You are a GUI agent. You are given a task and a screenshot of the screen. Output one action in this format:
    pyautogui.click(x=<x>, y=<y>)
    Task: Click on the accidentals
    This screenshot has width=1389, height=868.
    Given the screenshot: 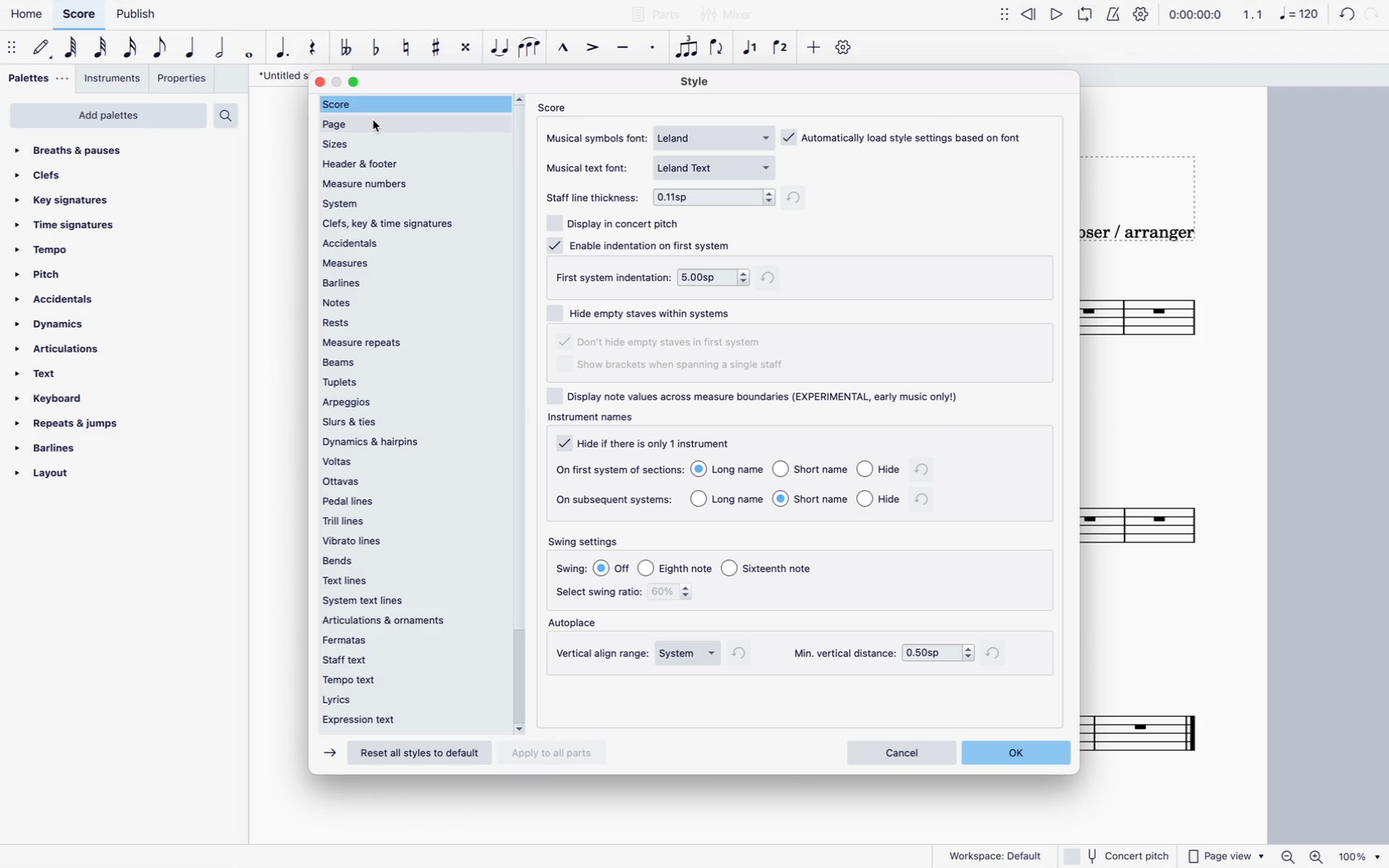 What is the action you would take?
    pyautogui.click(x=408, y=243)
    